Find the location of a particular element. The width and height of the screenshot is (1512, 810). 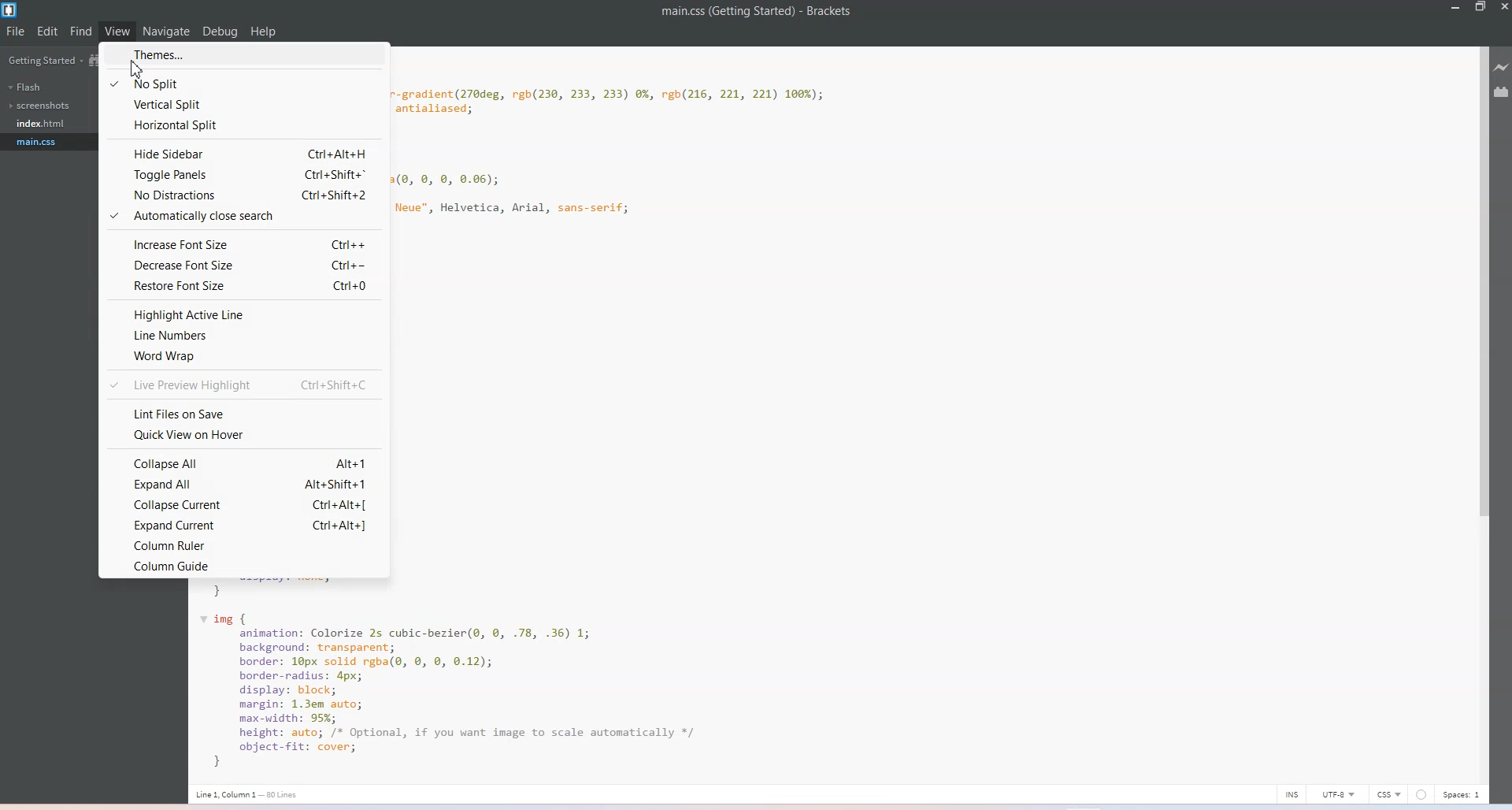

Horizontal split is located at coordinates (244, 126).